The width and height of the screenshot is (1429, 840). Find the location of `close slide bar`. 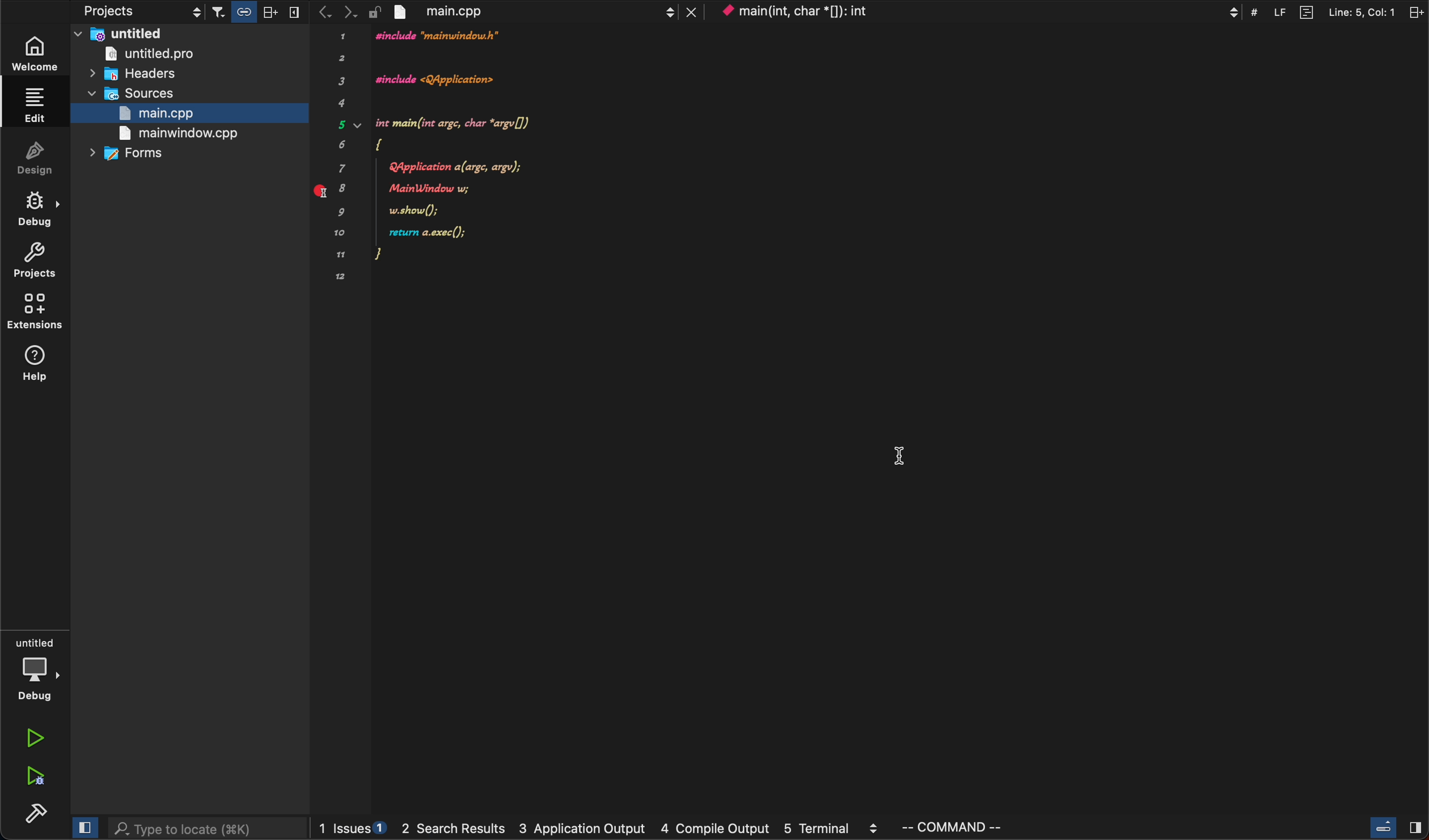

close slide bar is located at coordinates (1393, 828).